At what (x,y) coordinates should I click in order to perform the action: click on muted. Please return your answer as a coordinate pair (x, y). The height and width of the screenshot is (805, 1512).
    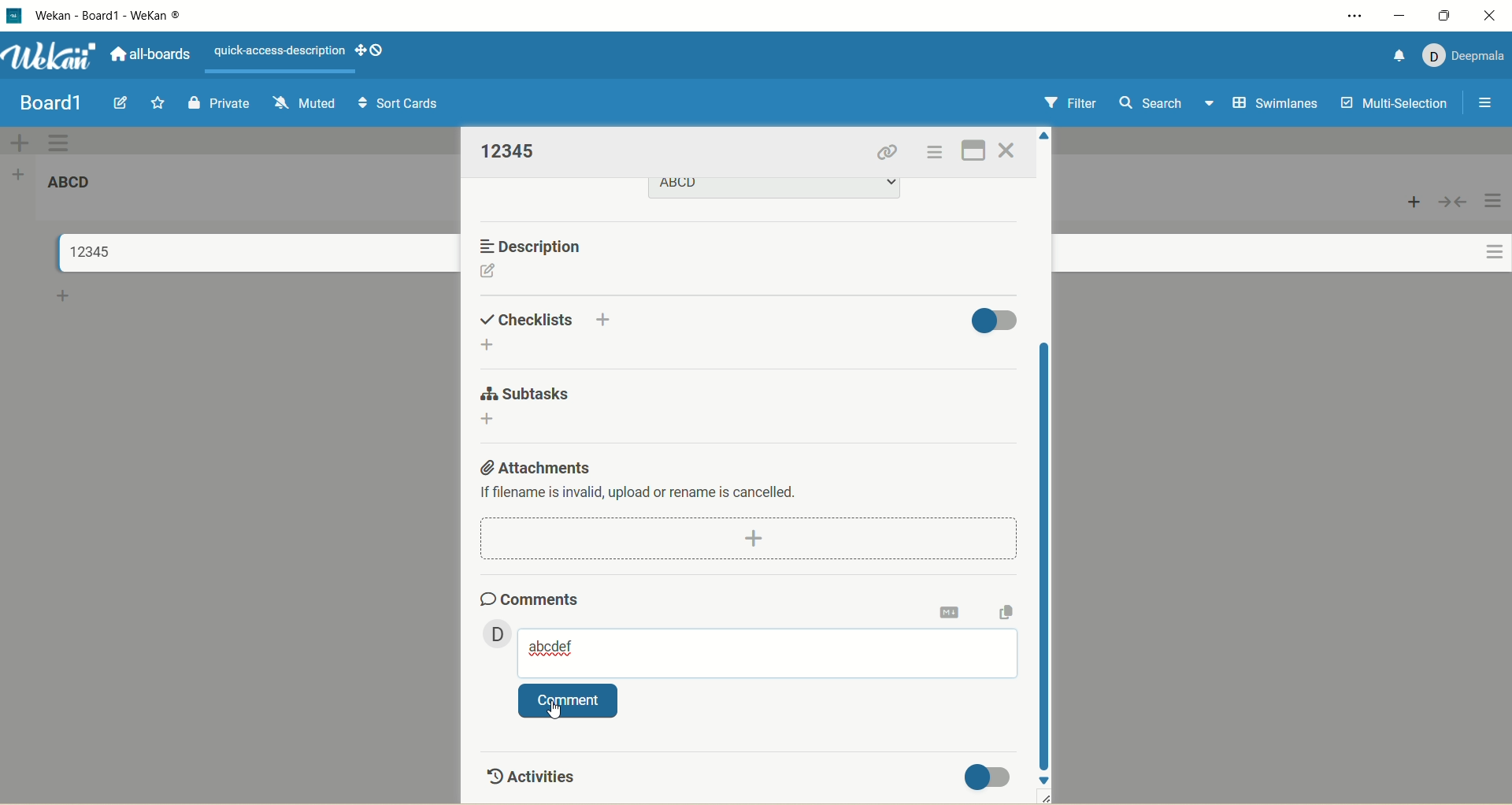
    Looking at the image, I should click on (301, 101).